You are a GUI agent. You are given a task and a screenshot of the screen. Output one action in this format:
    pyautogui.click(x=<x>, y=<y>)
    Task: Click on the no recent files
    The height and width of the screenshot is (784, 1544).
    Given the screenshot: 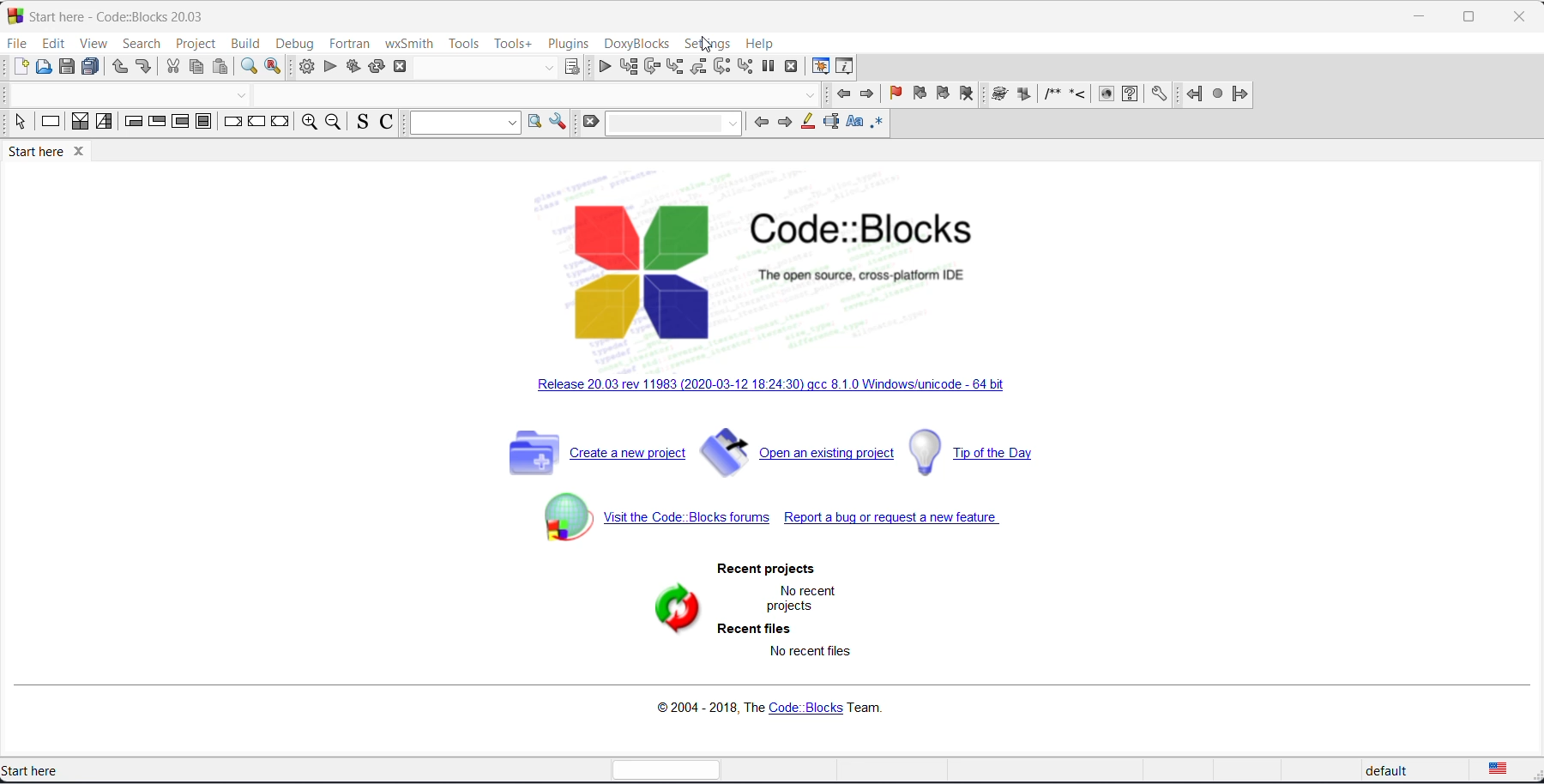 What is the action you would take?
    pyautogui.click(x=809, y=652)
    